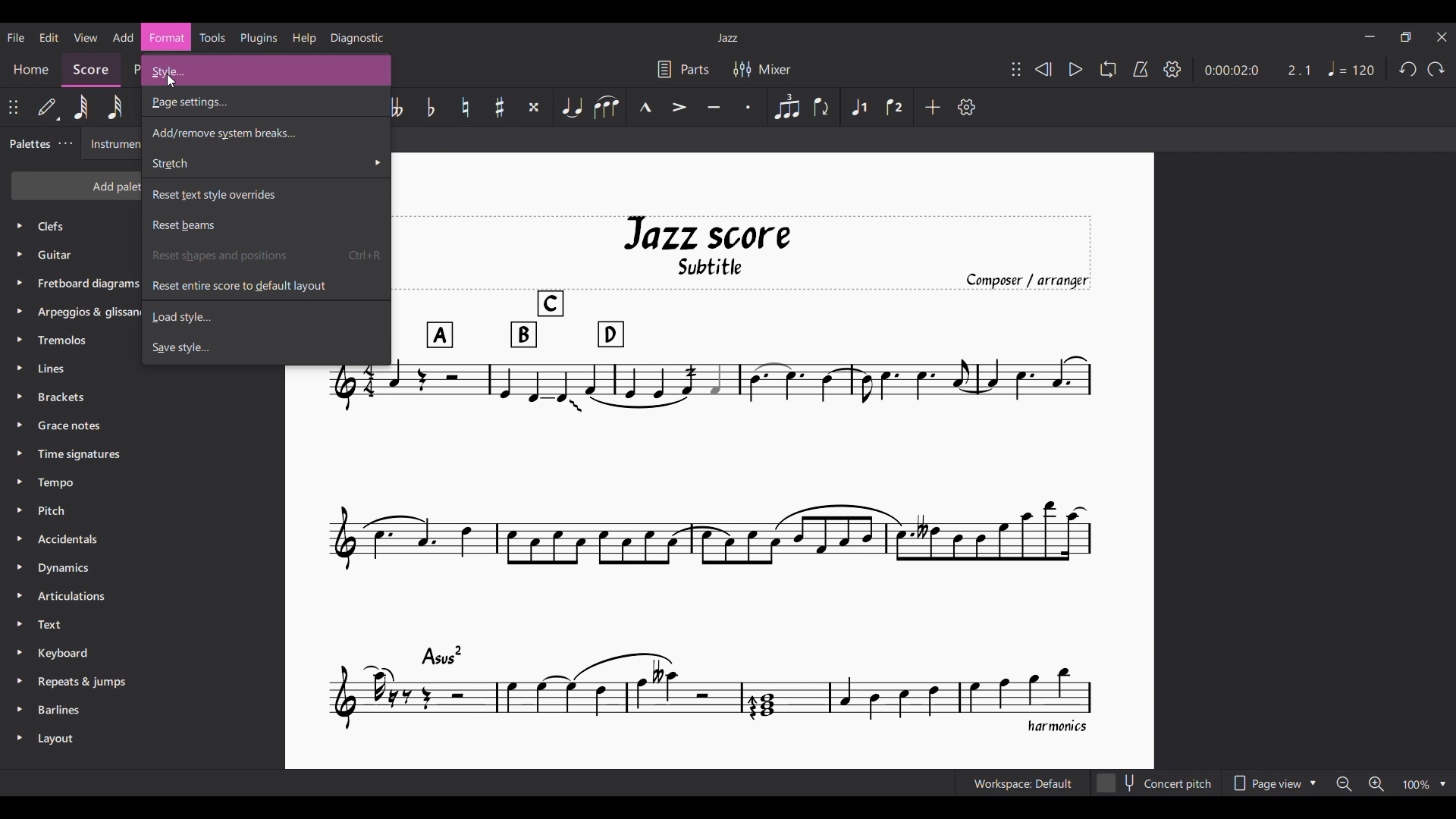  What do you see at coordinates (1076, 70) in the screenshot?
I see `Play` at bounding box center [1076, 70].